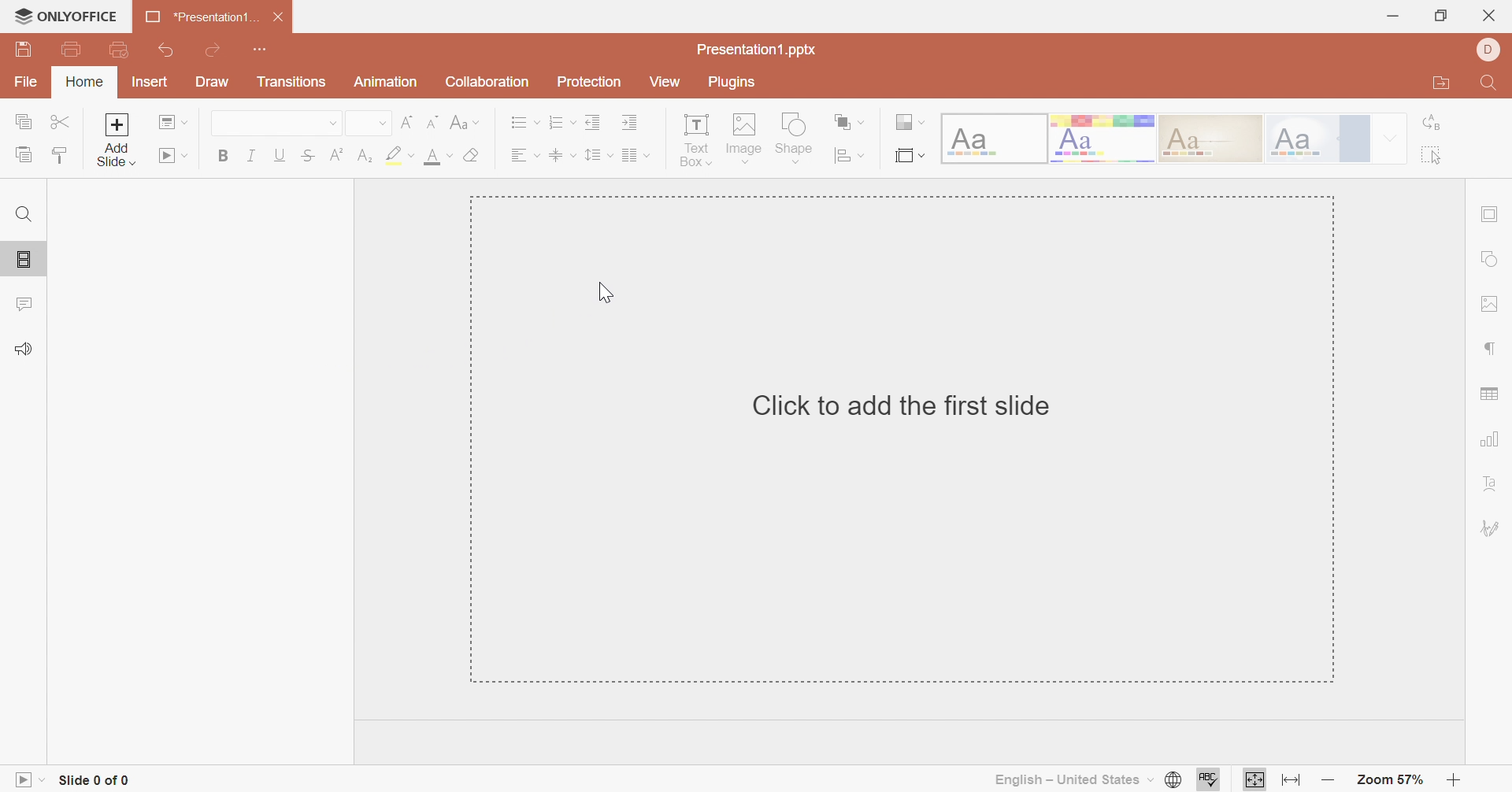  I want to click on DELL, so click(1487, 50).